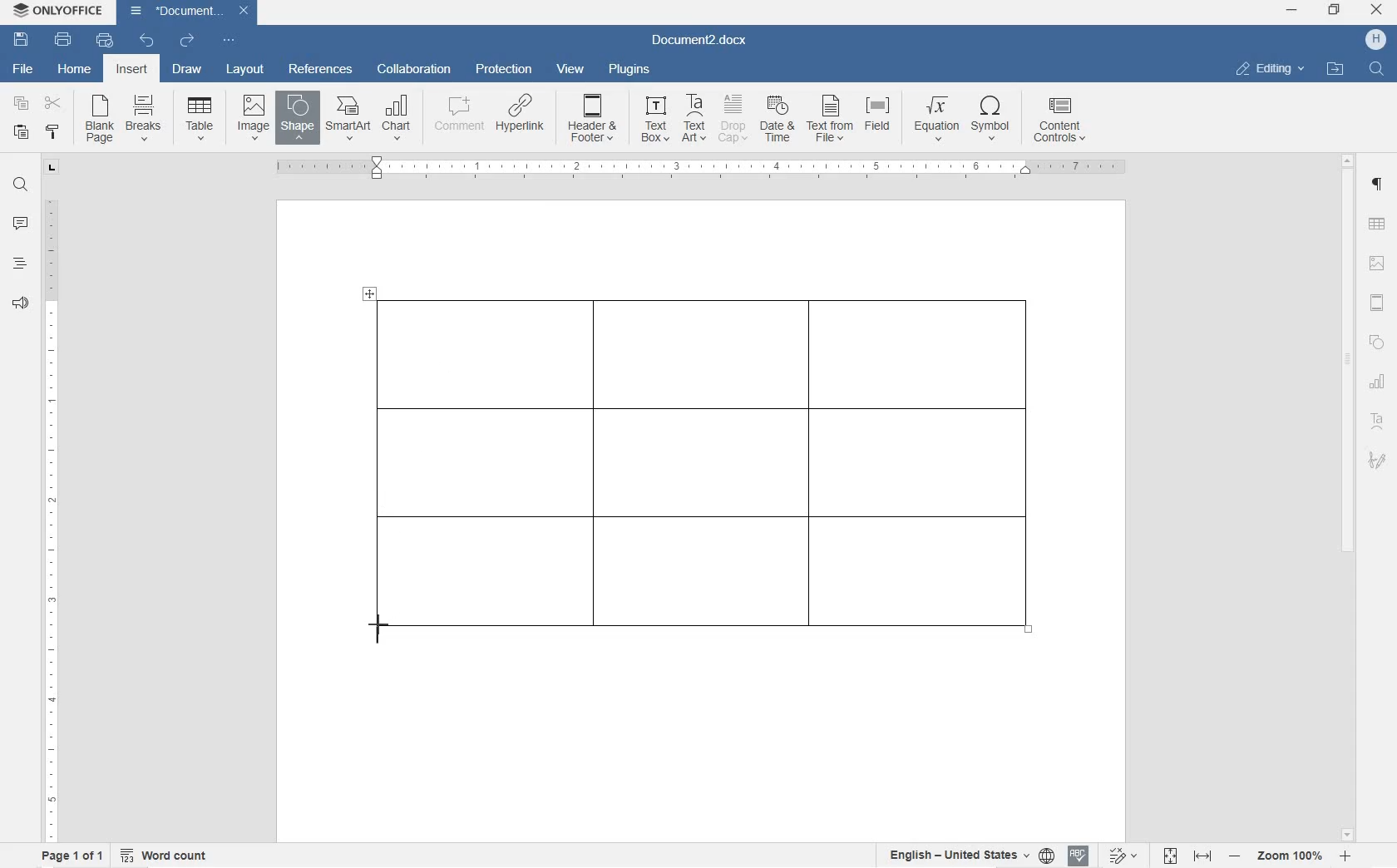 The image size is (1397, 868). I want to click on view, so click(573, 70).